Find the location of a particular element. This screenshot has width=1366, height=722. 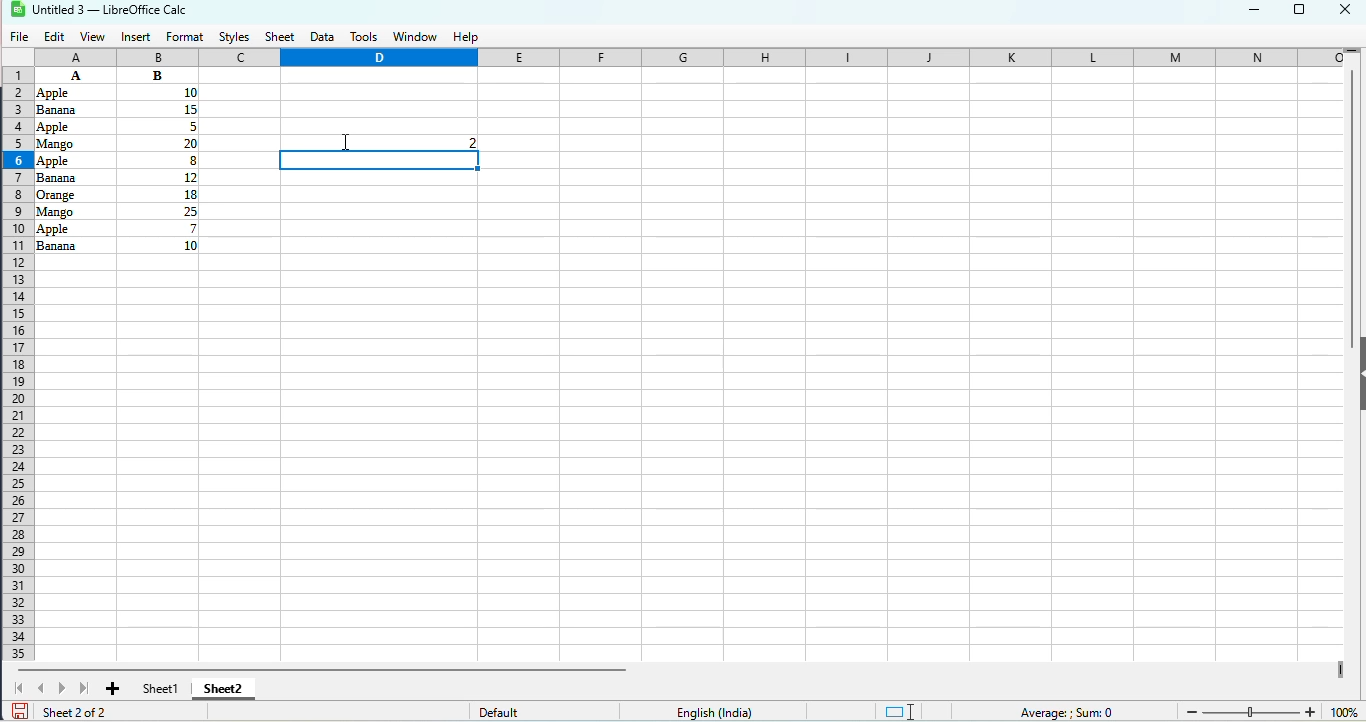

Zoom out is located at coordinates (1192, 711).